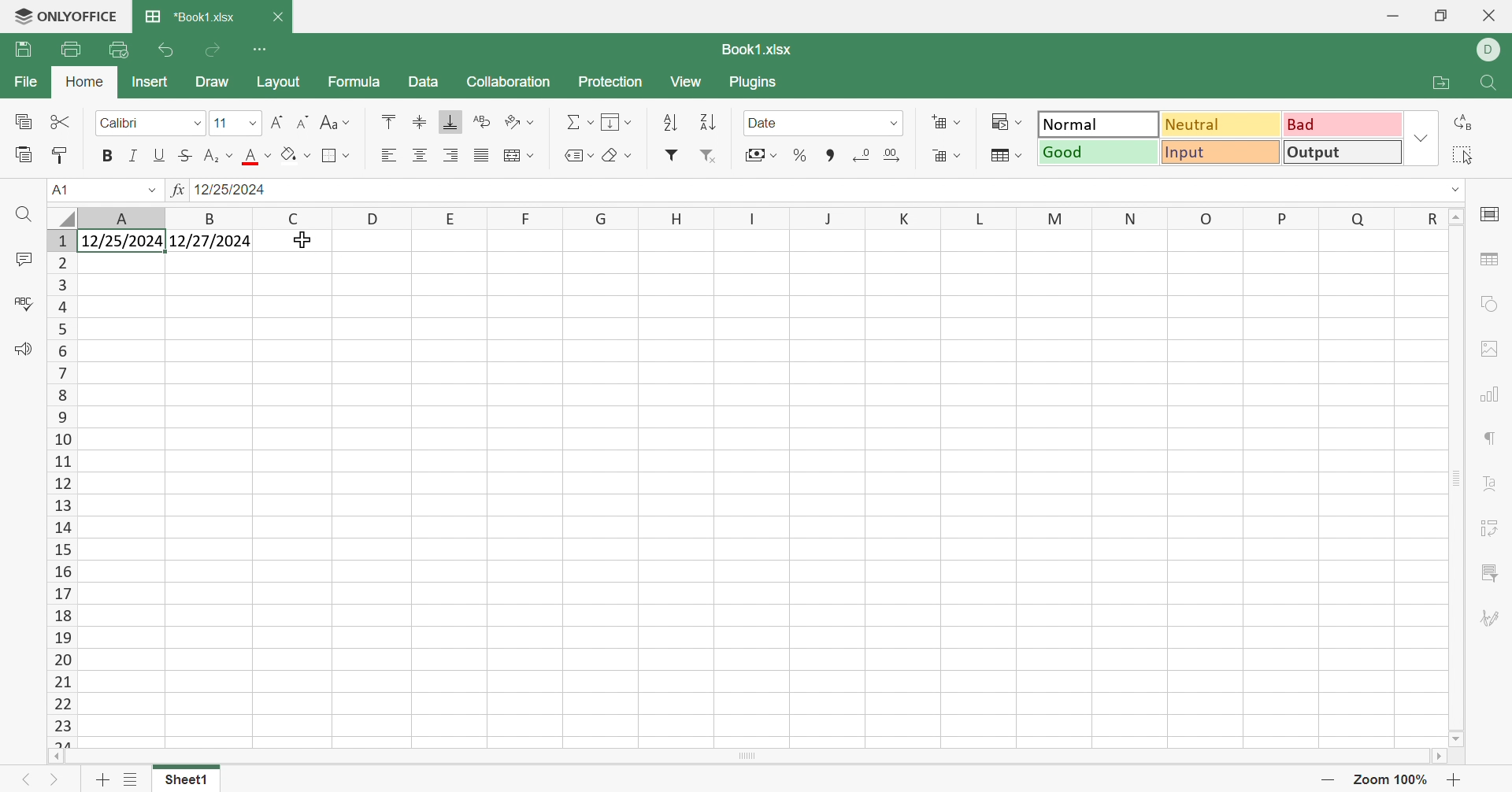 The image size is (1512, 792). I want to click on Text Art settings, so click(1485, 485).